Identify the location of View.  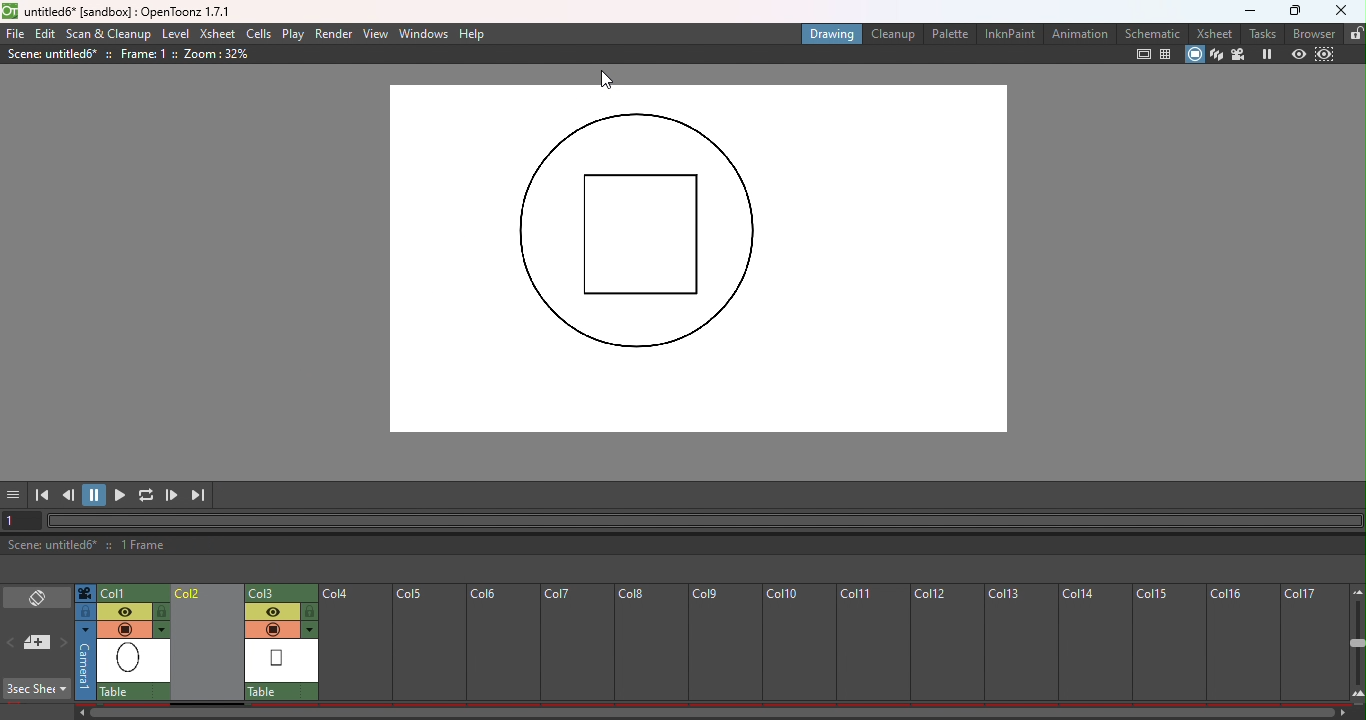
(376, 33).